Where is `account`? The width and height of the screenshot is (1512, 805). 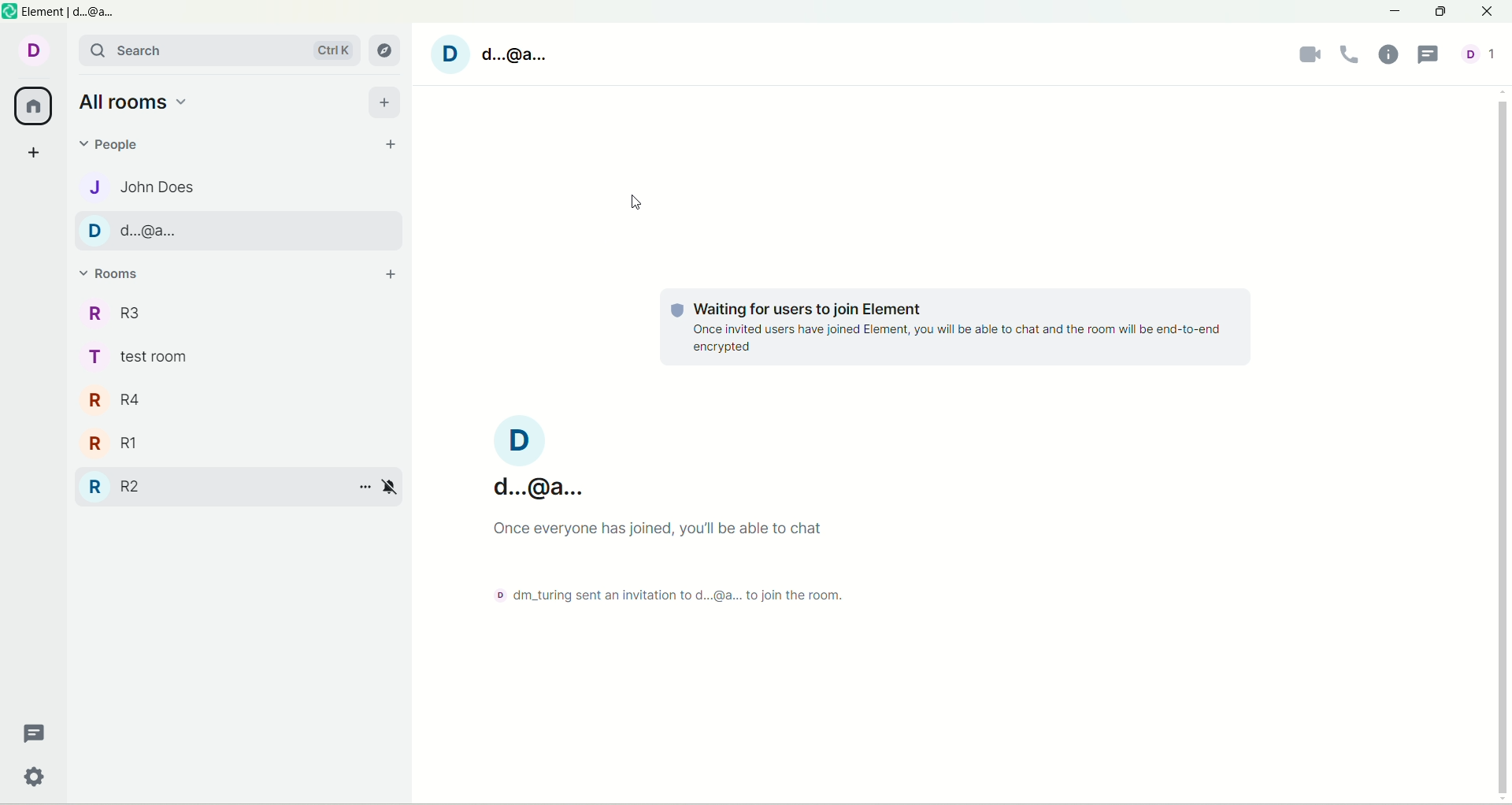
account is located at coordinates (32, 56).